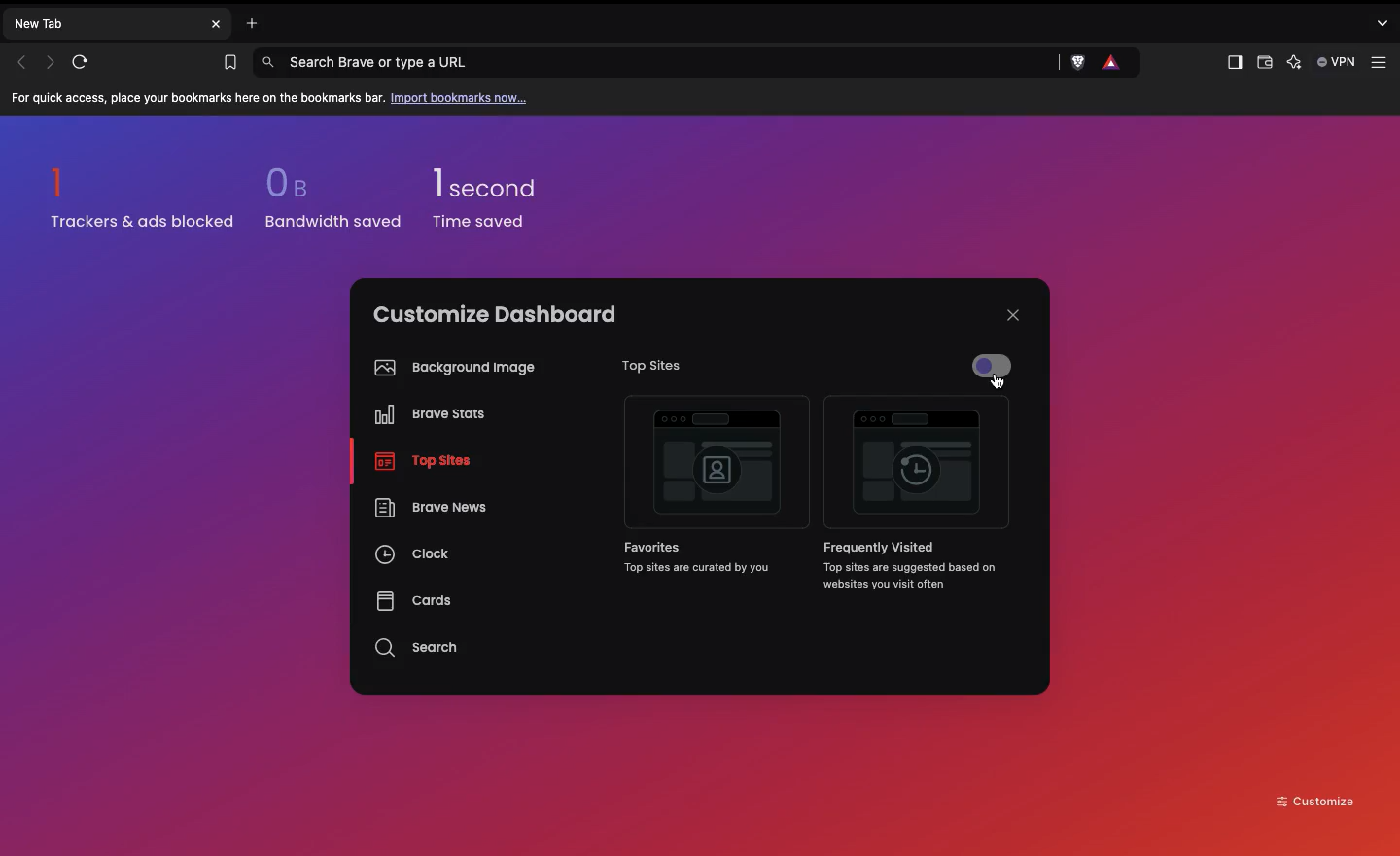  Describe the element at coordinates (419, 648) in the screenshot. I see `Search` at that location.